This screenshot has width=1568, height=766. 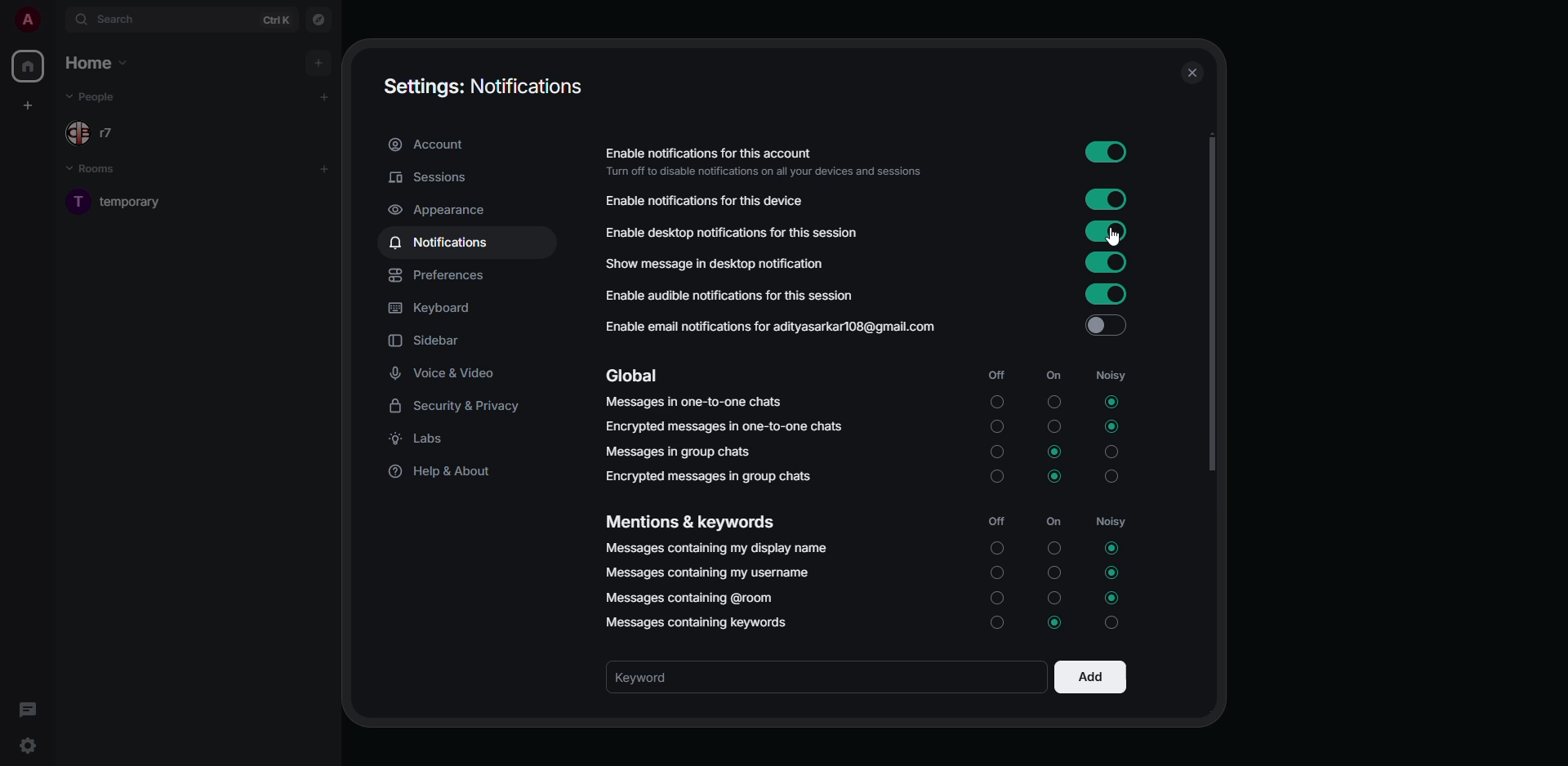 I want to click on home, so click(x=31, y=65).